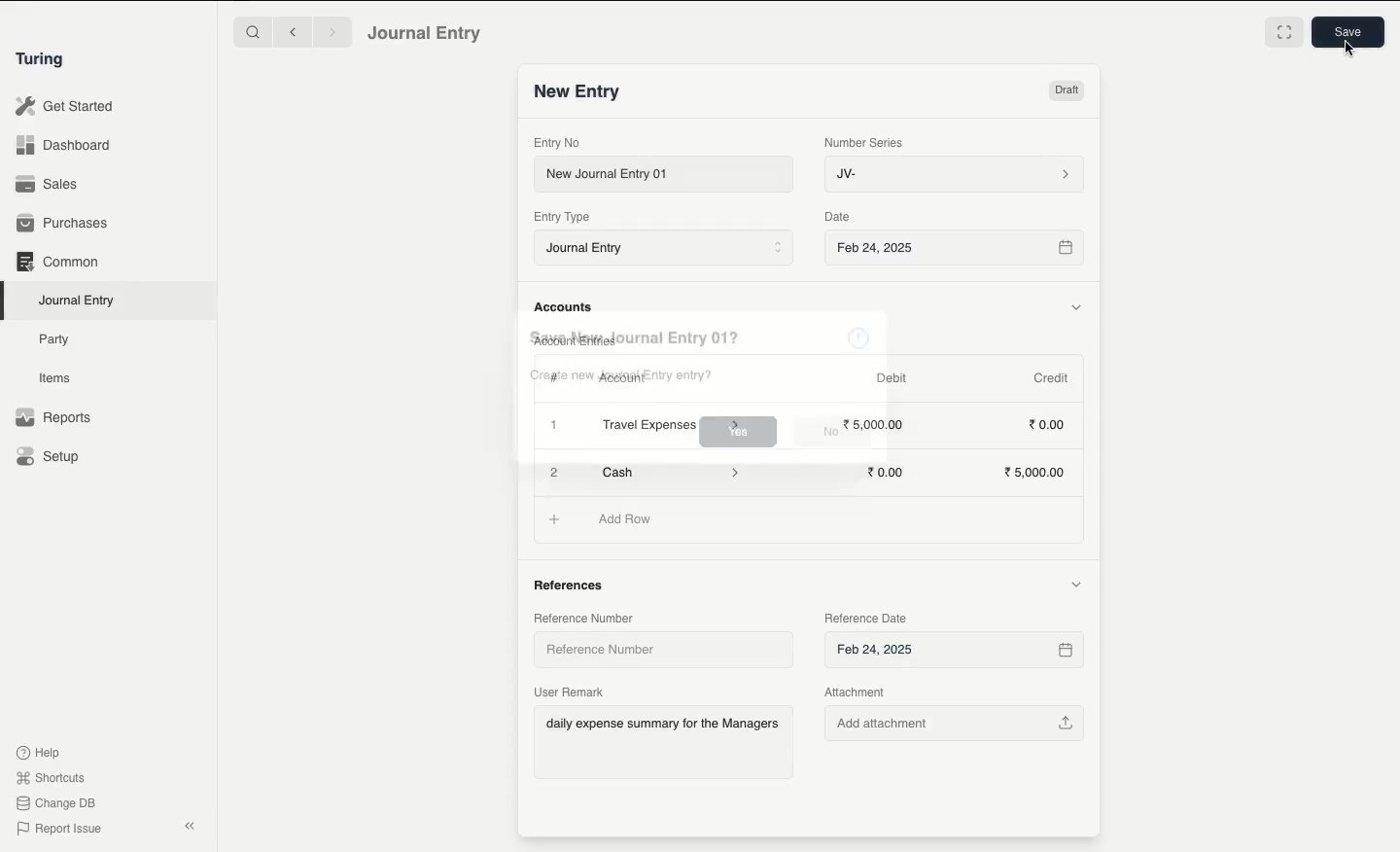 The image size is (1400, 852). What do you see at coordinates (39, 753) in the screenshot?
I see `Help` at bounding box center [39, 753].